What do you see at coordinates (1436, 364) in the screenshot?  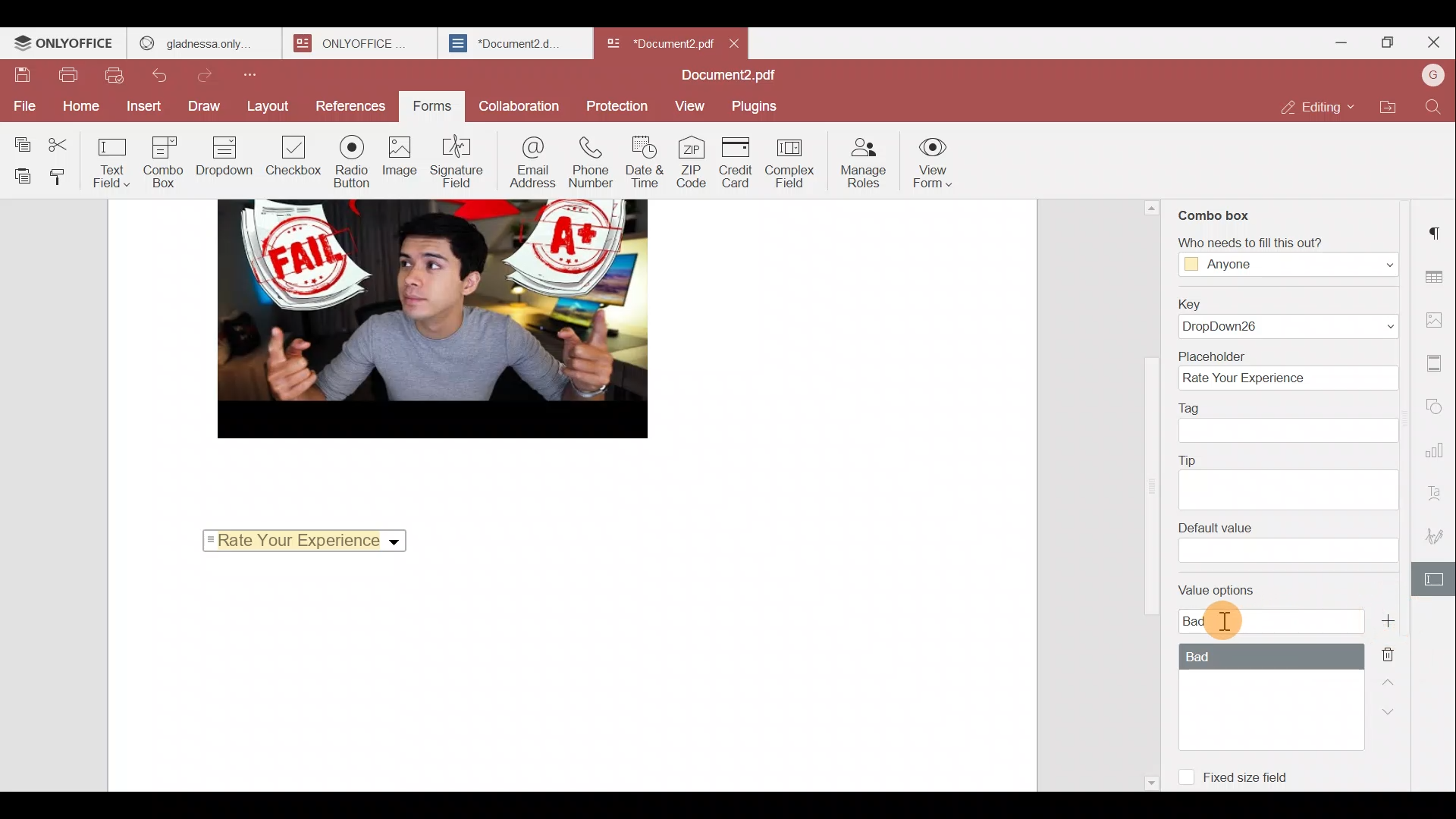 I see `Header & footer settings` at bounding box center [1436, 364].